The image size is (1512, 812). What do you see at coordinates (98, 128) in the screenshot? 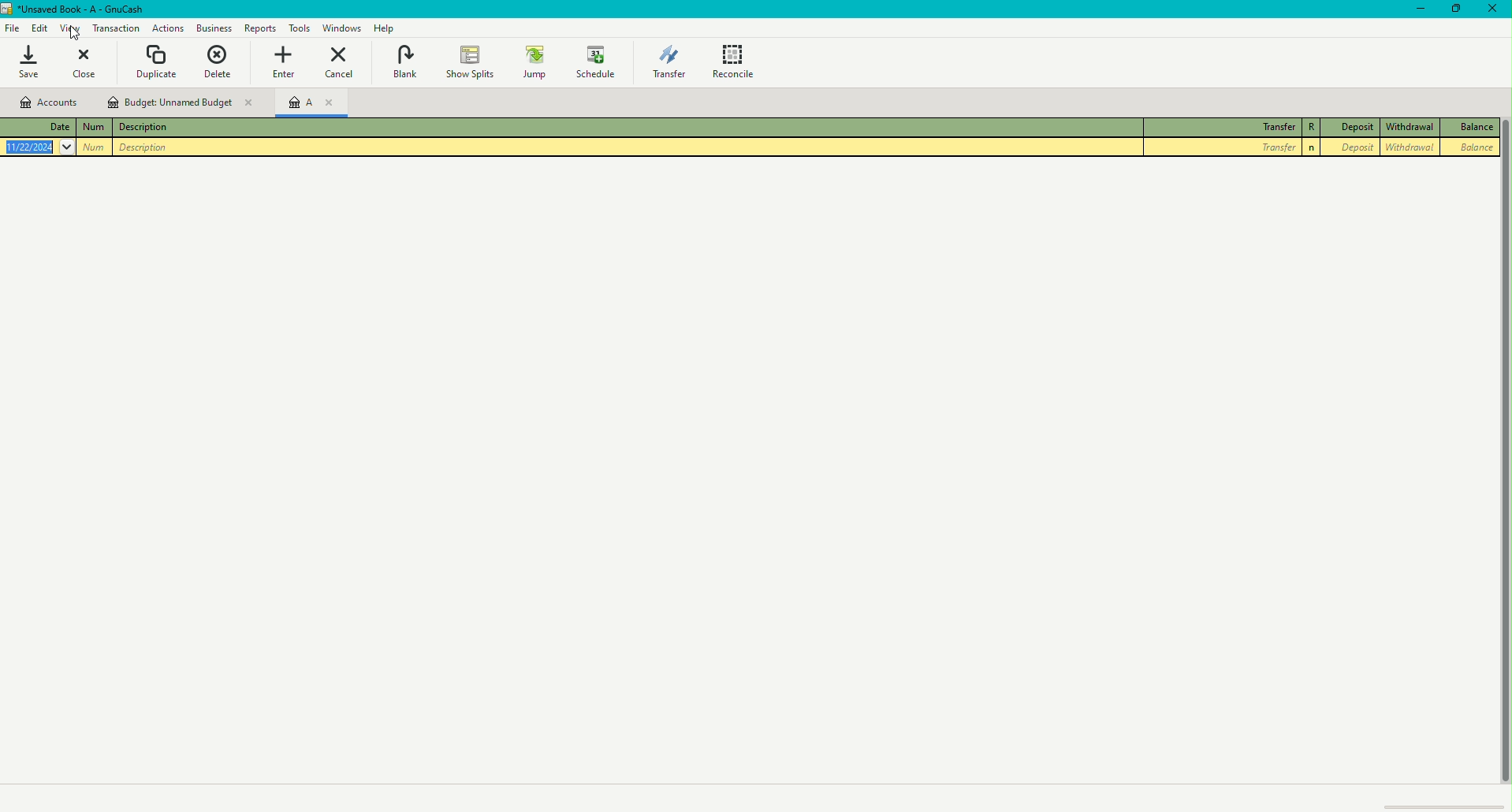
I see `Num` at bounding box center [98, 128].